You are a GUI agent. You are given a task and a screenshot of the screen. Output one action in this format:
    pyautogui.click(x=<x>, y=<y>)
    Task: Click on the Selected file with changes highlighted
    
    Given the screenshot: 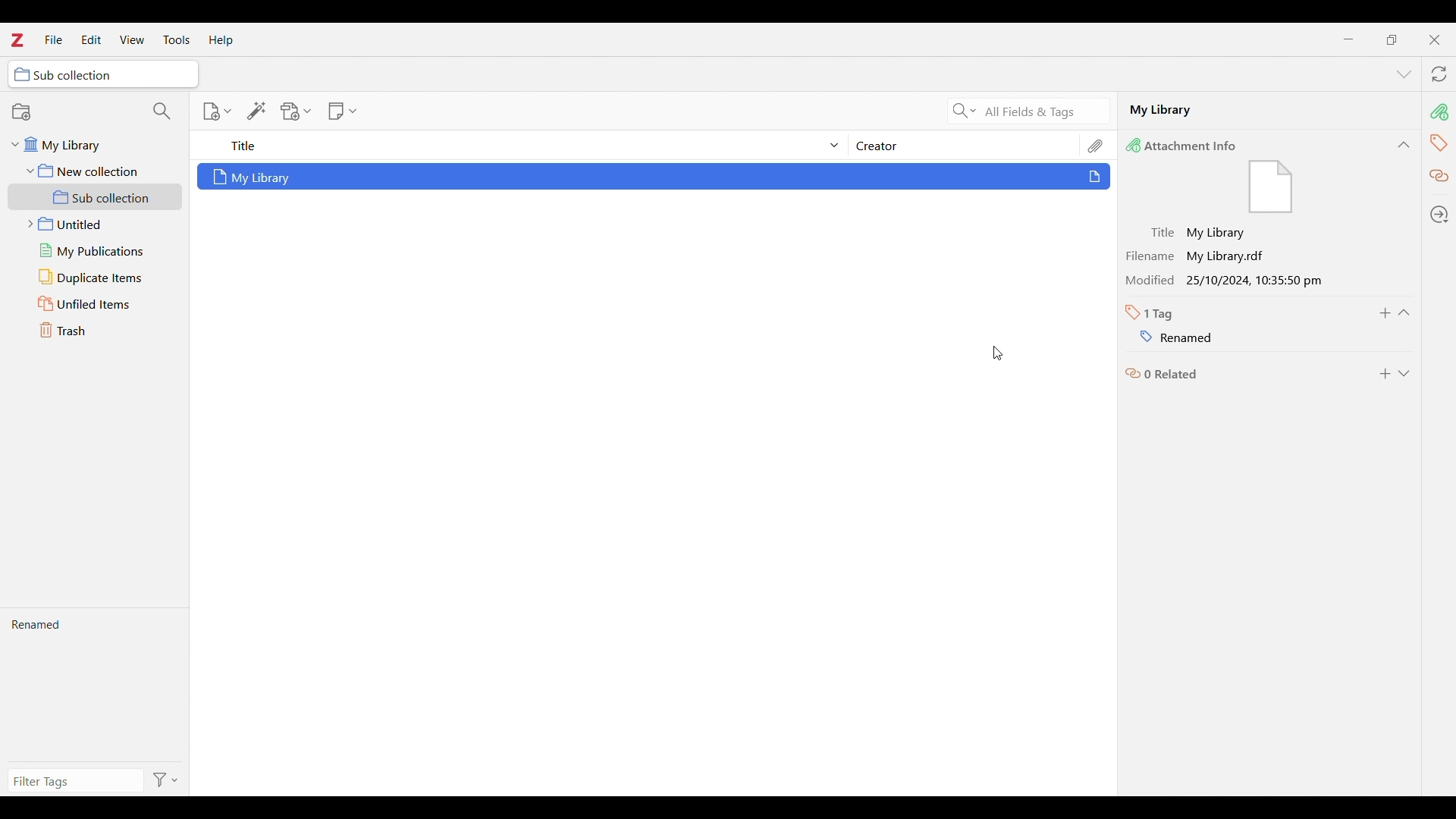 What is the action you would take?
    pyautogui.click(x=654, y=177)
    